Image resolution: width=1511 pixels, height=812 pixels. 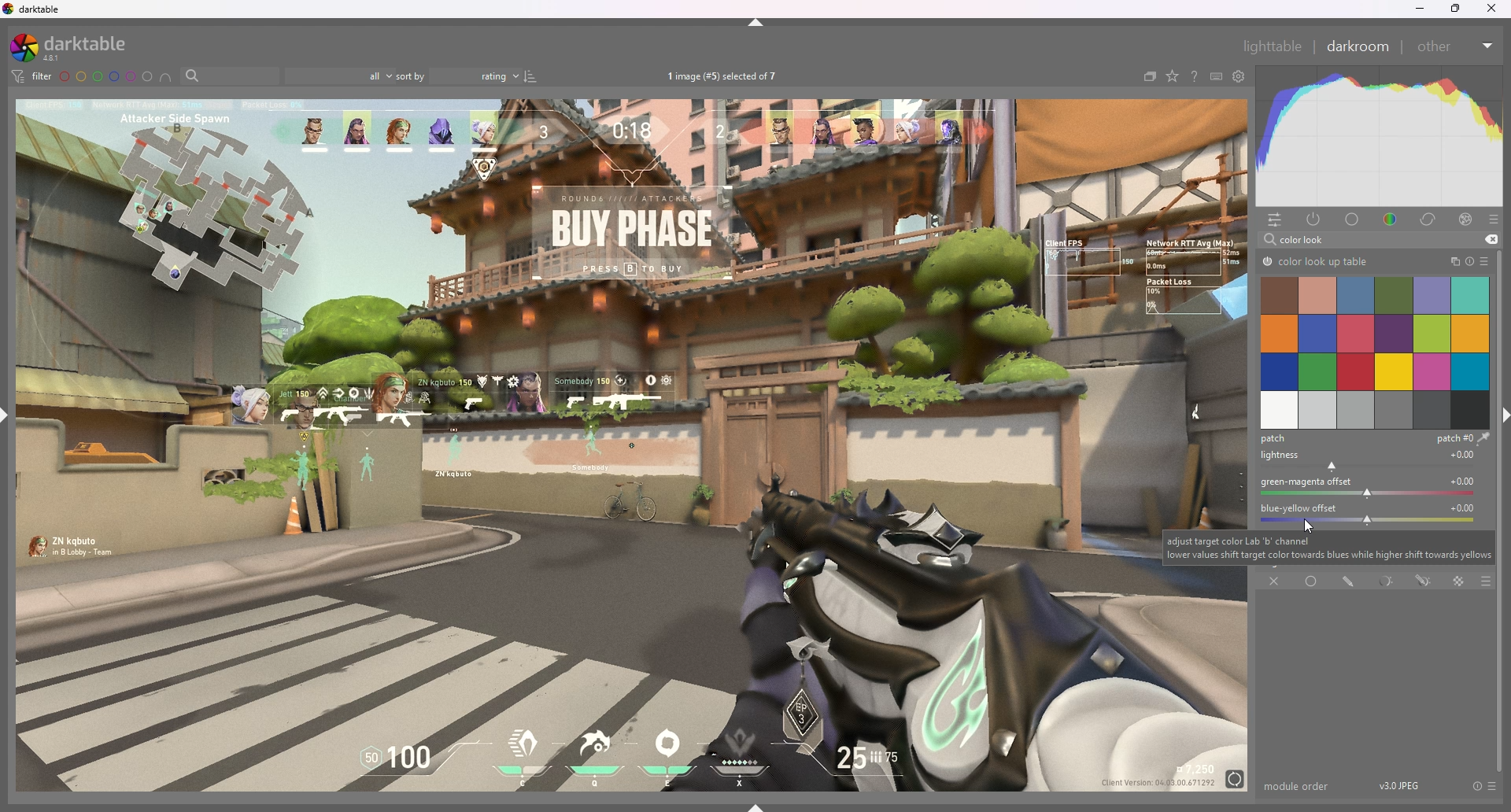 I want to click on close, so click(x=1491, y=8).